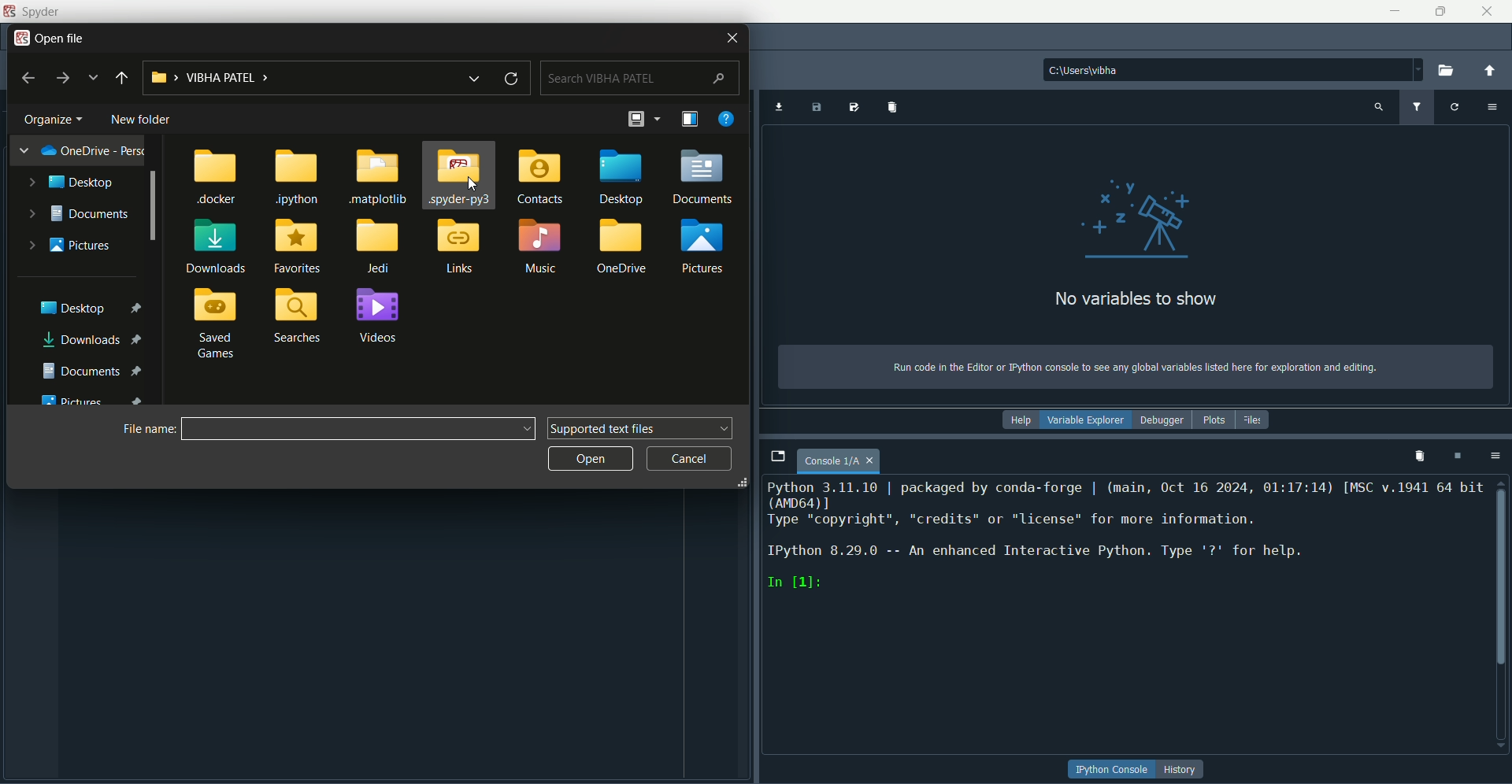 The height and width of the screenshot is (784, 1512). I want to click on refresh variable, so click(1457, 107).